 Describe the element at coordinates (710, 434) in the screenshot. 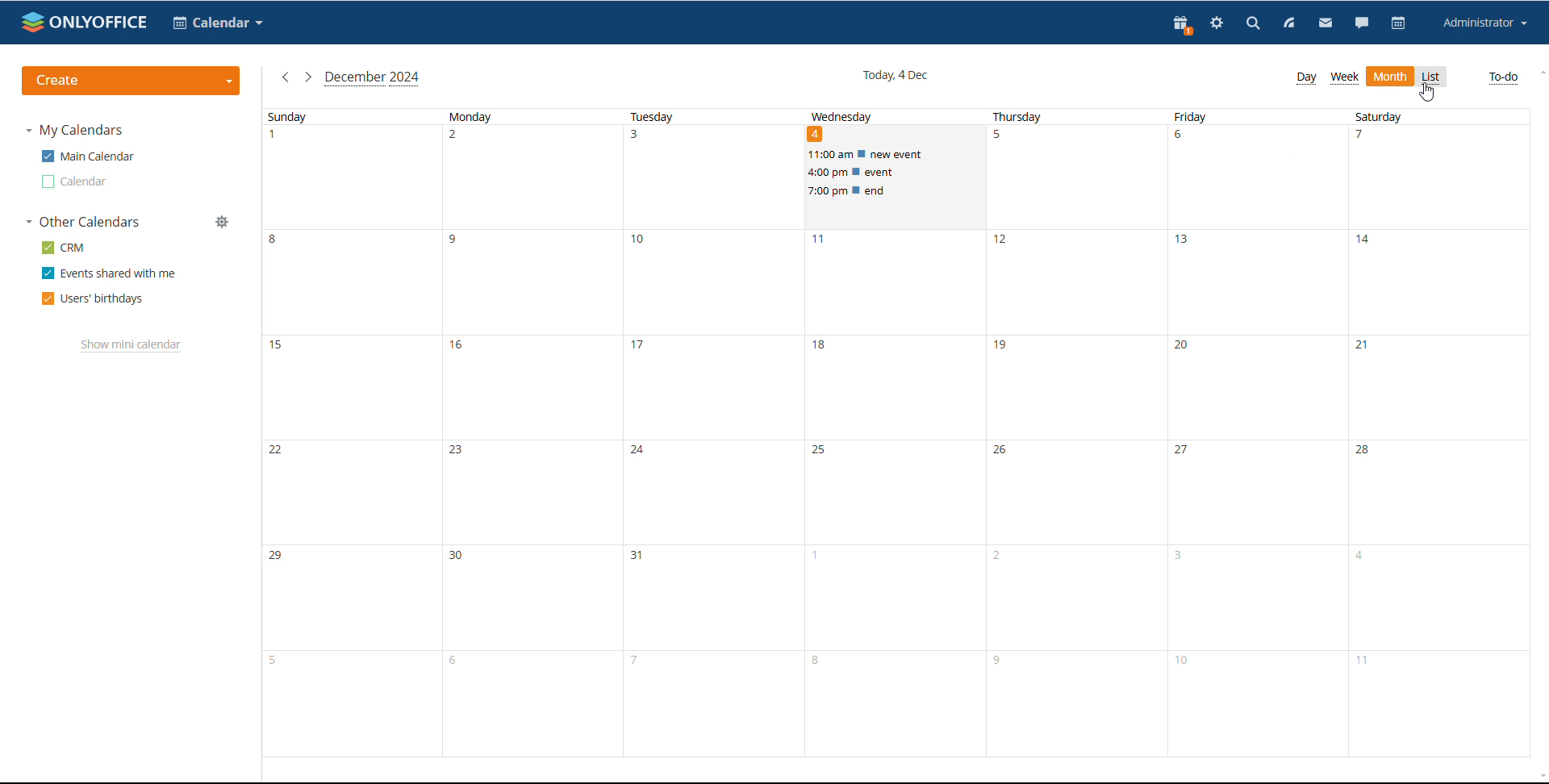

I see `tuesday` at that location.